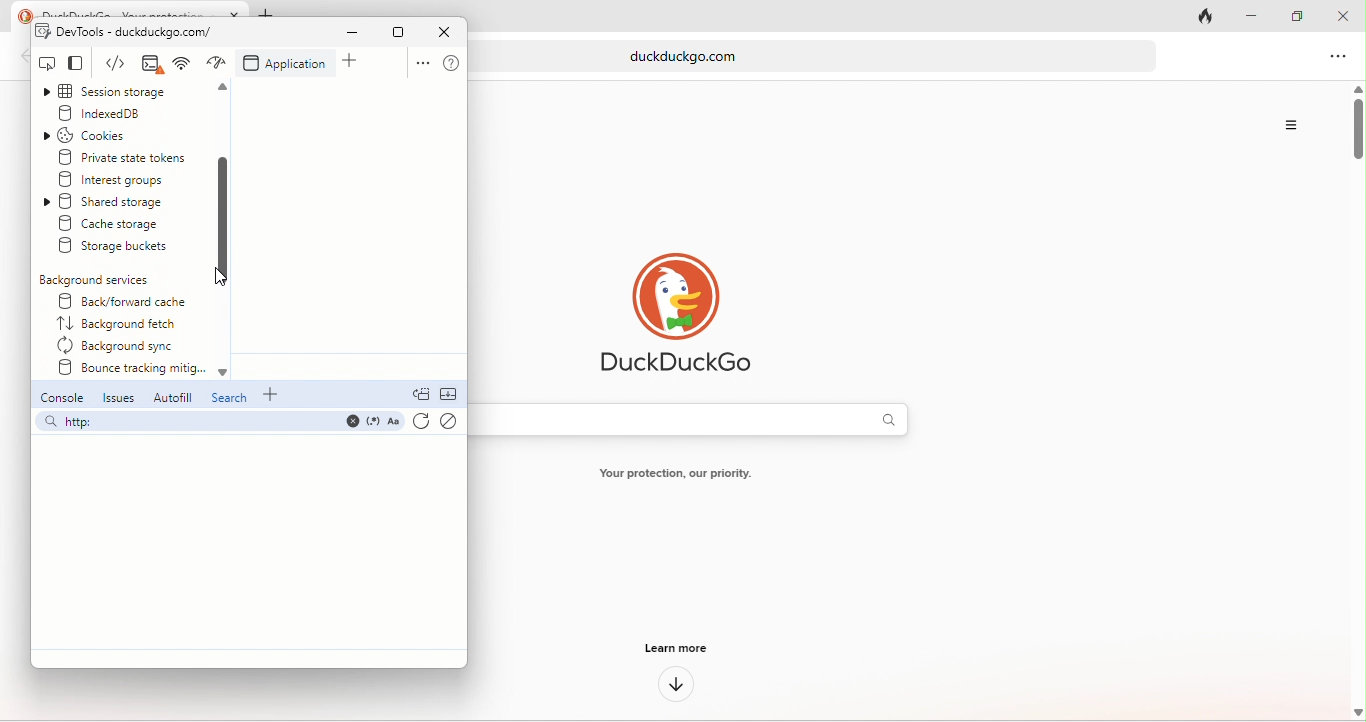 The image size is (1366, 722). Describe the element at coordinates (126, 179) in the screenshot. I see `interest groups` at that location.